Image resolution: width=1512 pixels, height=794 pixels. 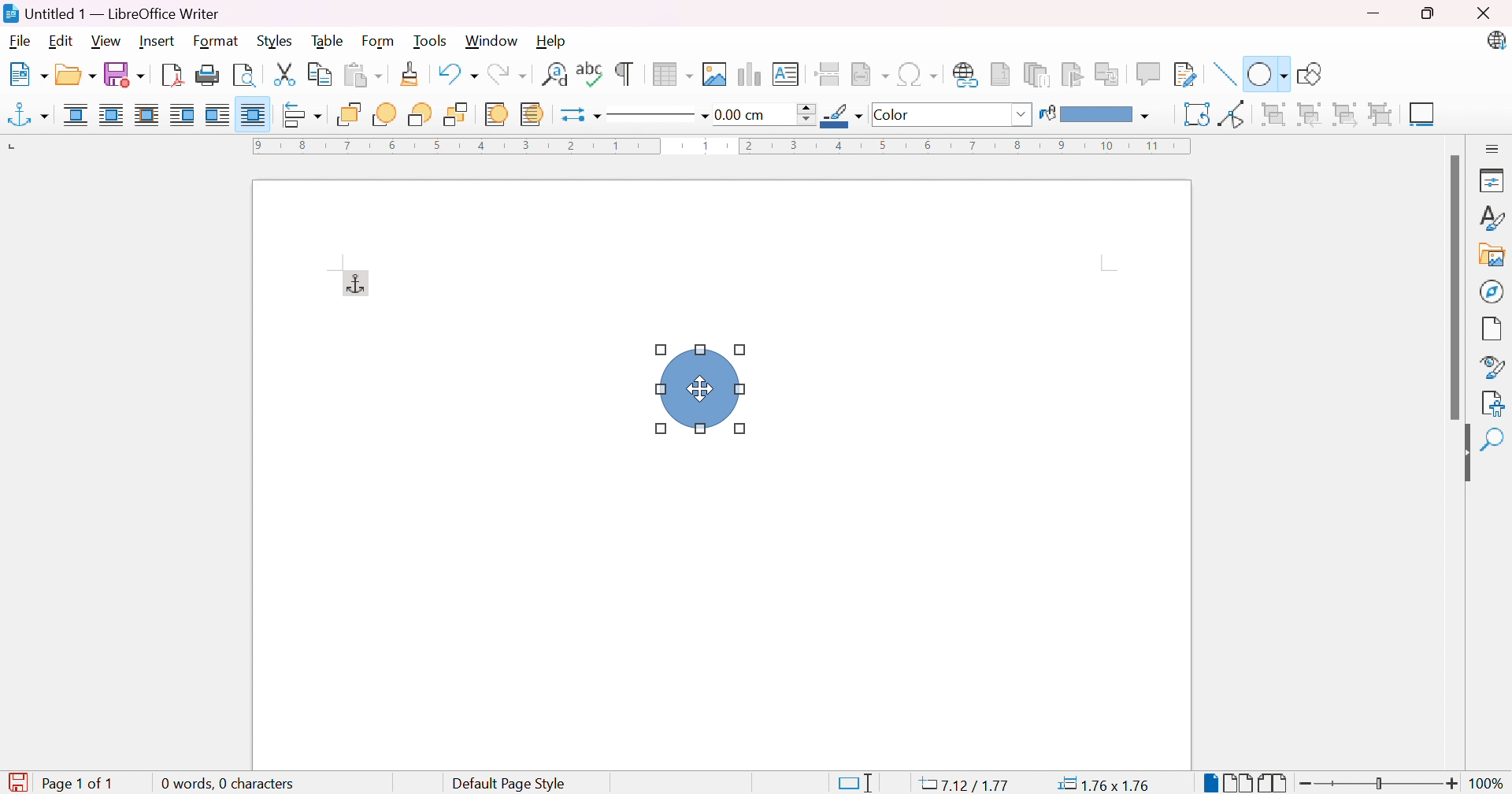 What do you see at coordinates (1095, 116) in the screenshot?
I see `Fill color` at bounding box center [1095, 116].